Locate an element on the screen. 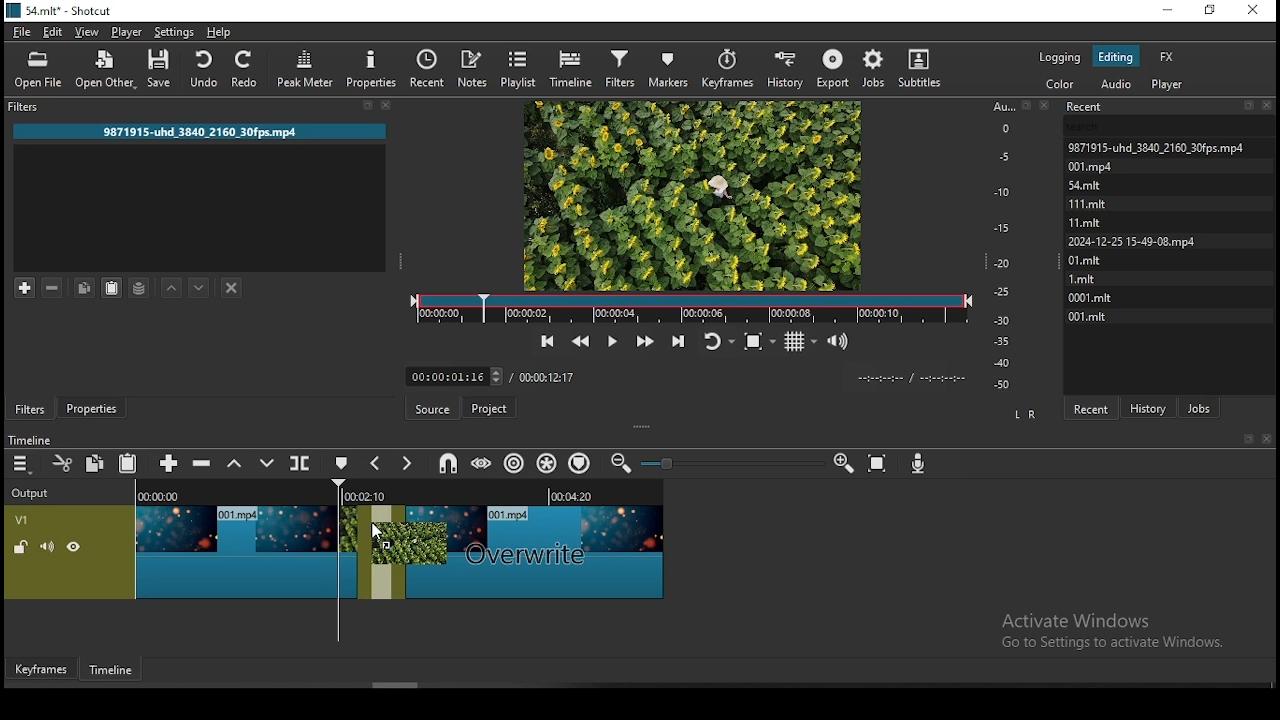  V1 is located at coordinates (35, 519).